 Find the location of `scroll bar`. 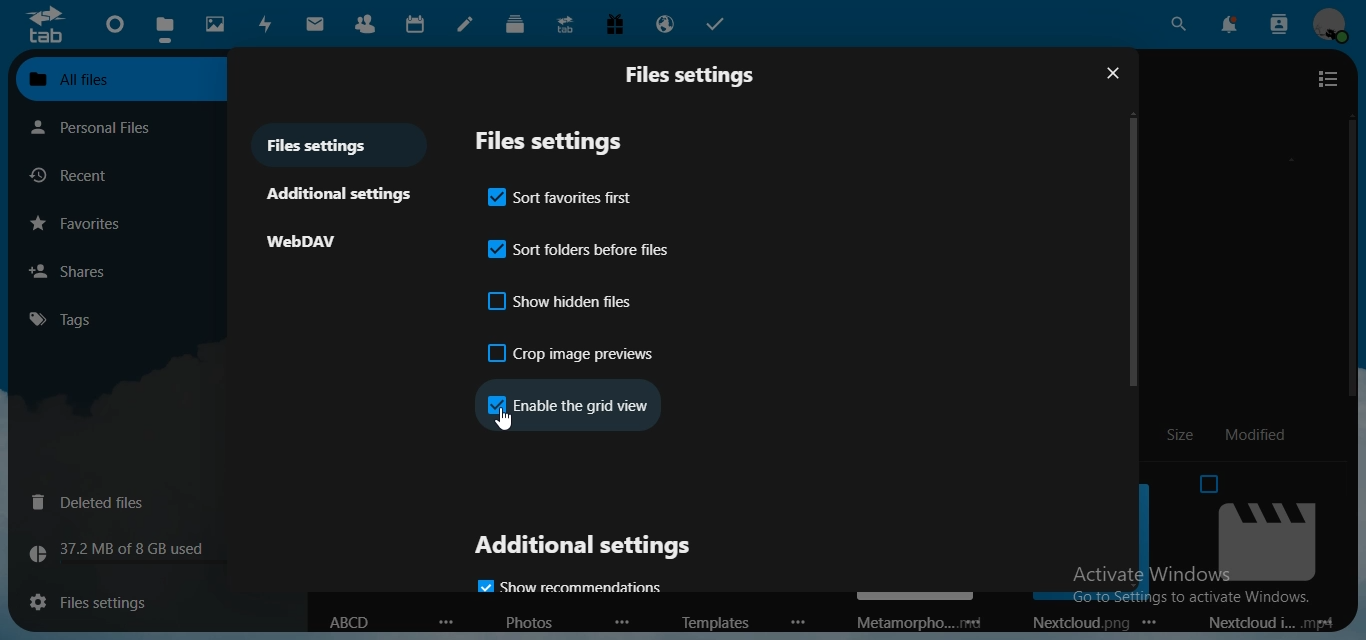

scroll bar is located at coordinates (1348, 242).